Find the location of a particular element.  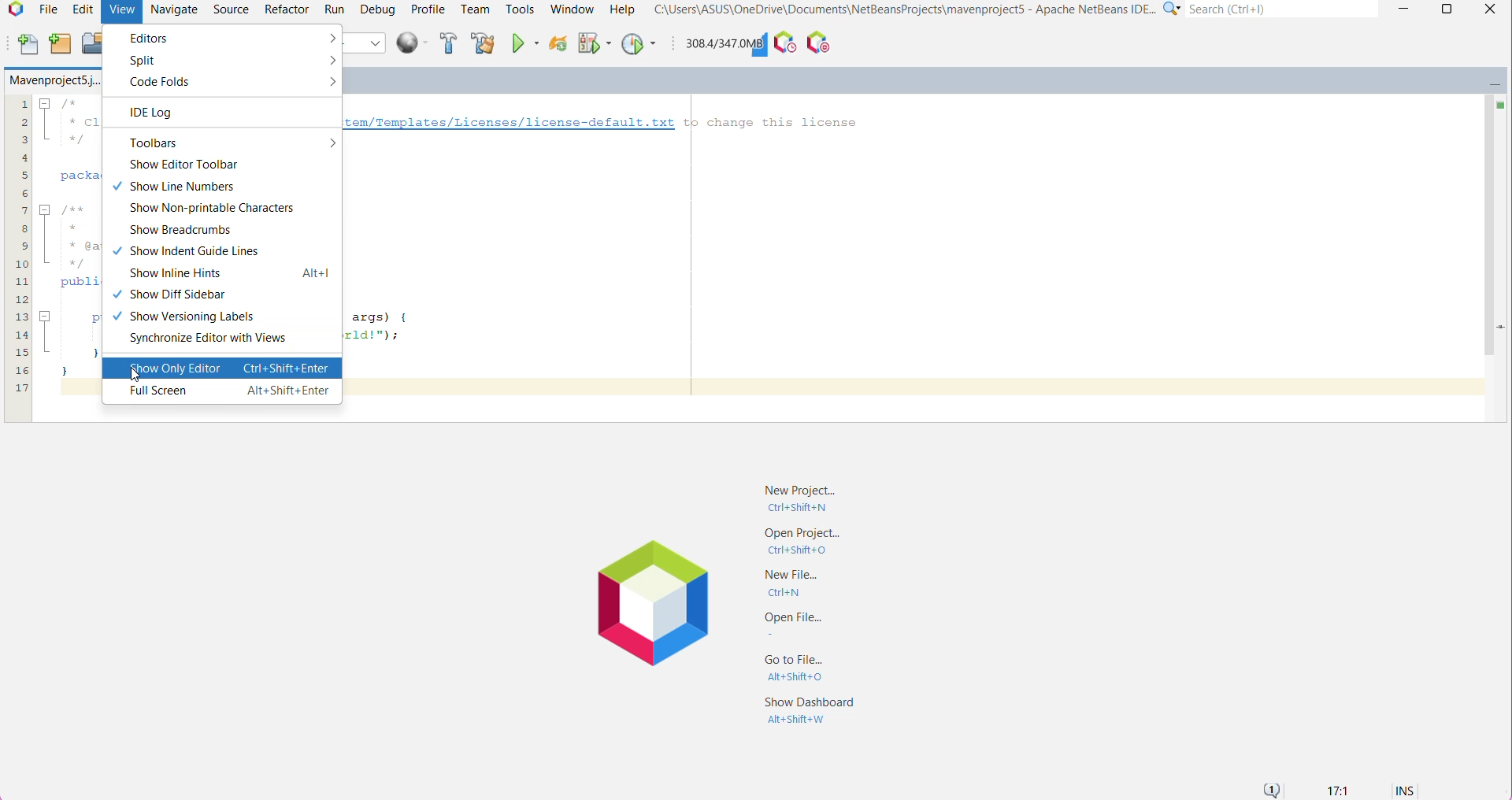

Show Indent Guide Lines is located at coordinates (195, 252).